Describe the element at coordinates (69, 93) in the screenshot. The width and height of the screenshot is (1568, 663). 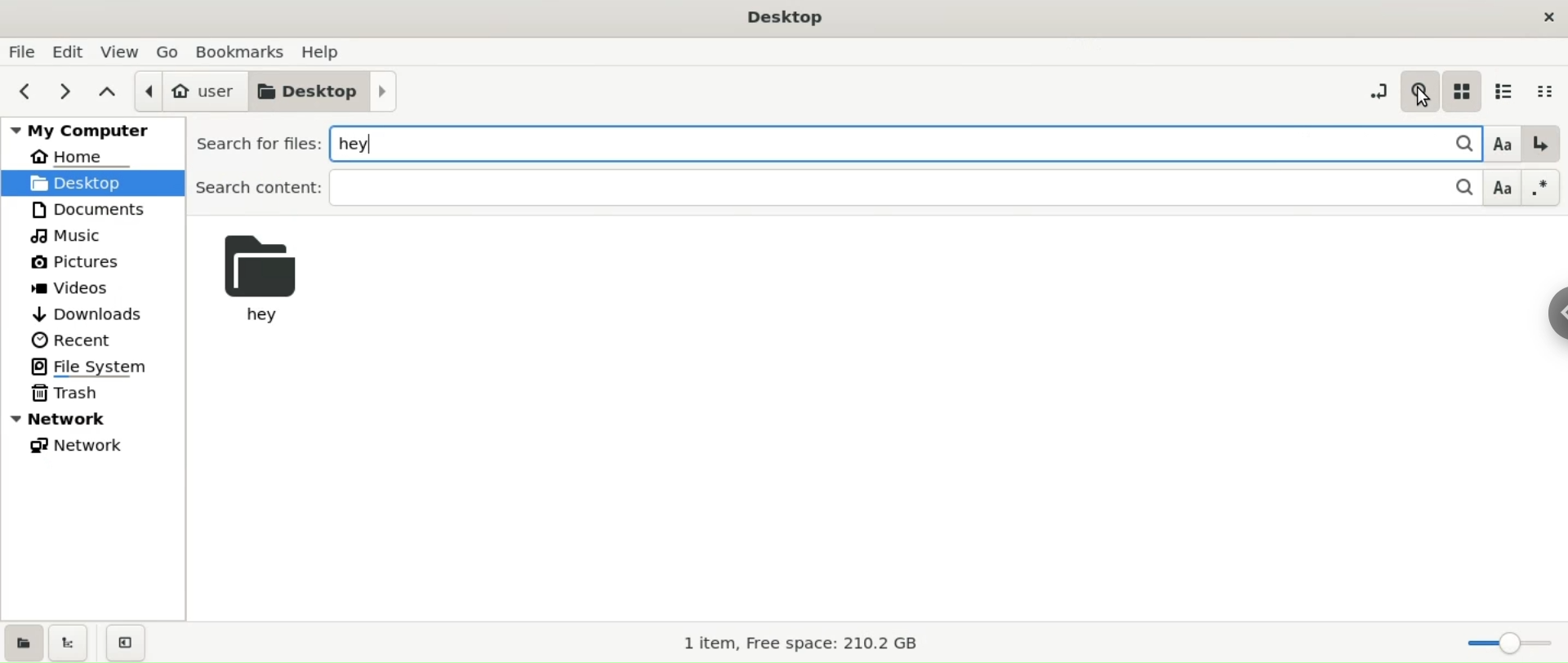
I see `next` at that location.